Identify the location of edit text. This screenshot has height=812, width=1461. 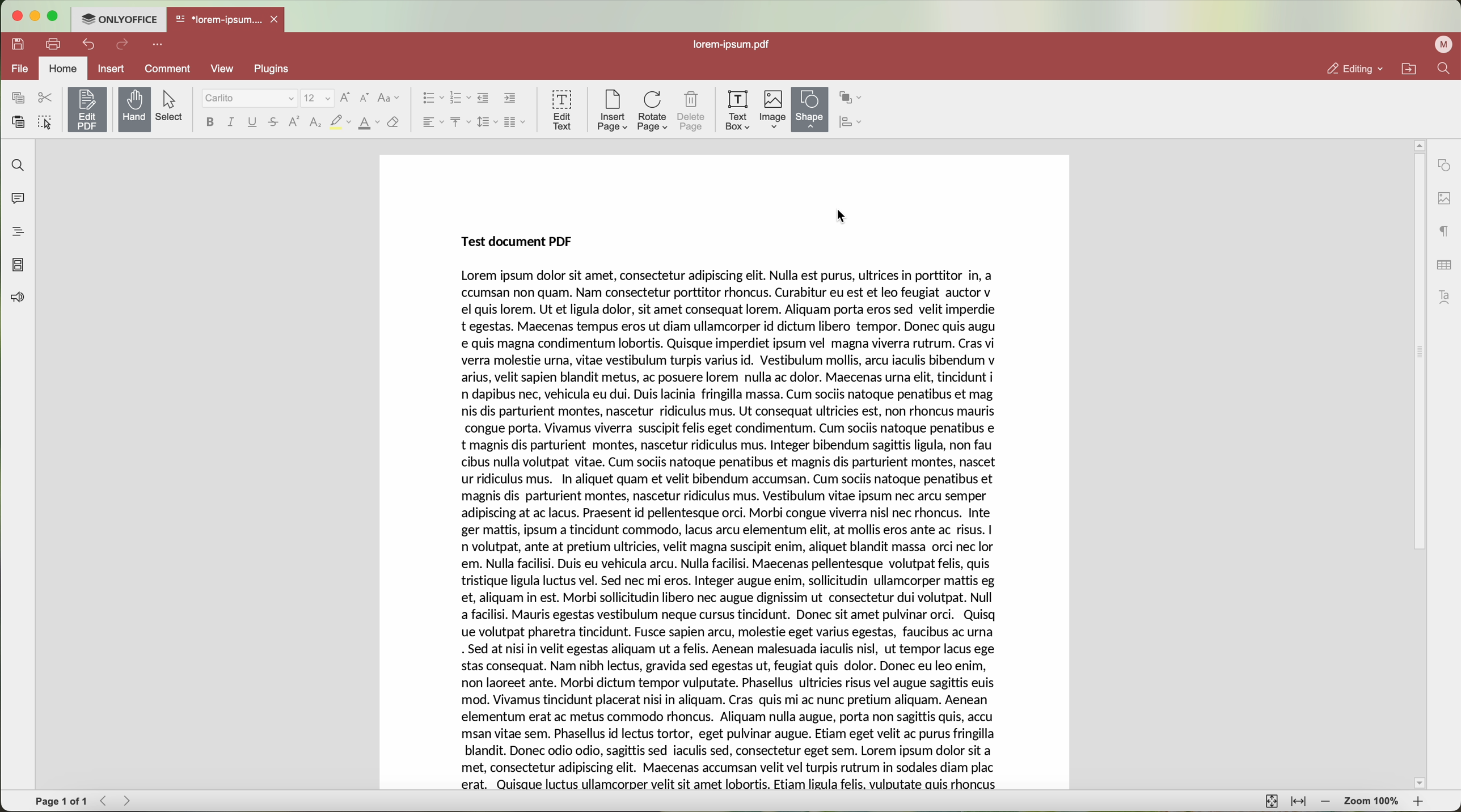
(561, 109).